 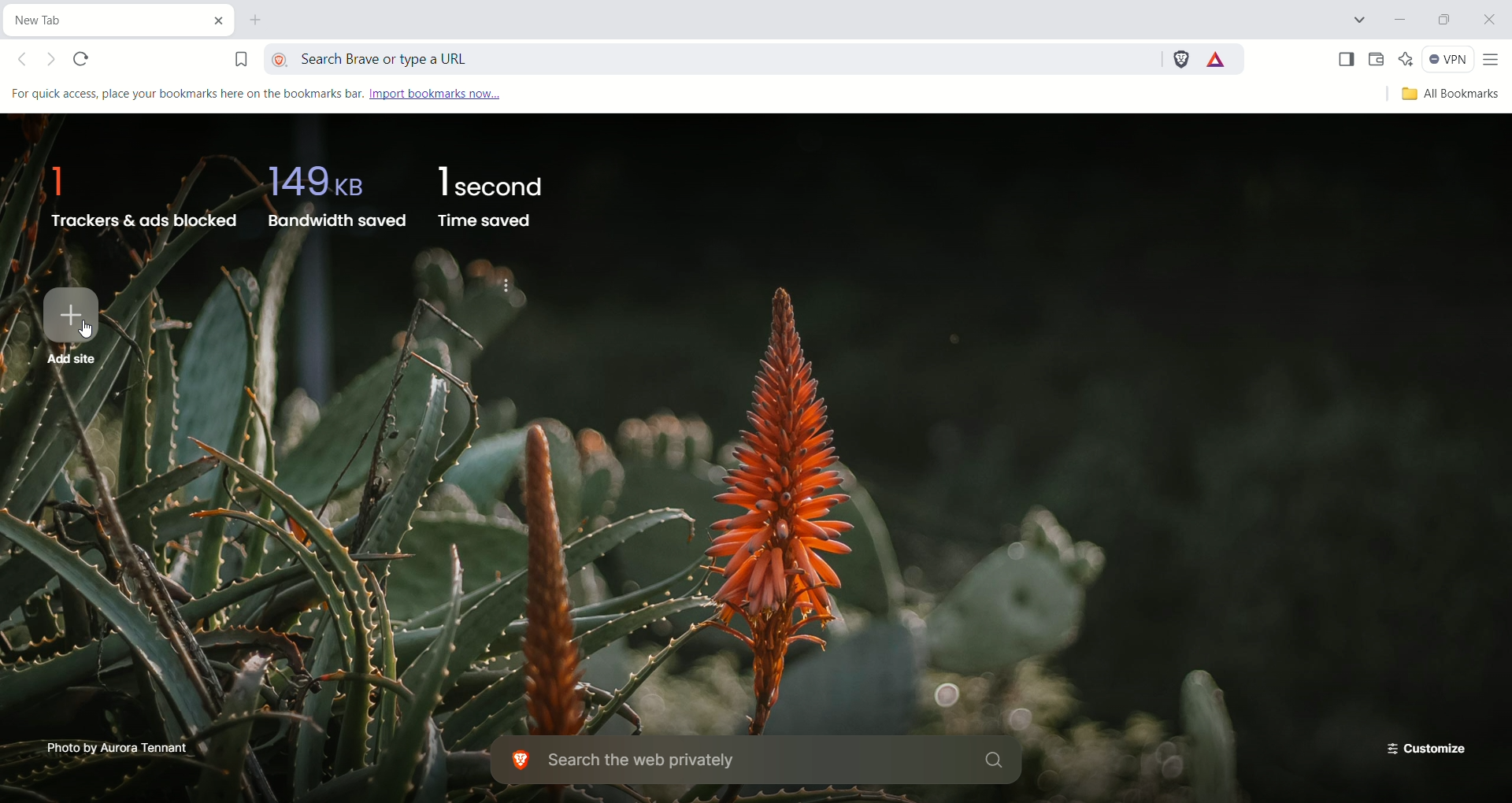 What do you see at coordinates (223, 20) in the screenshot?
I see `close current tab` at bounding box center [223, 20].